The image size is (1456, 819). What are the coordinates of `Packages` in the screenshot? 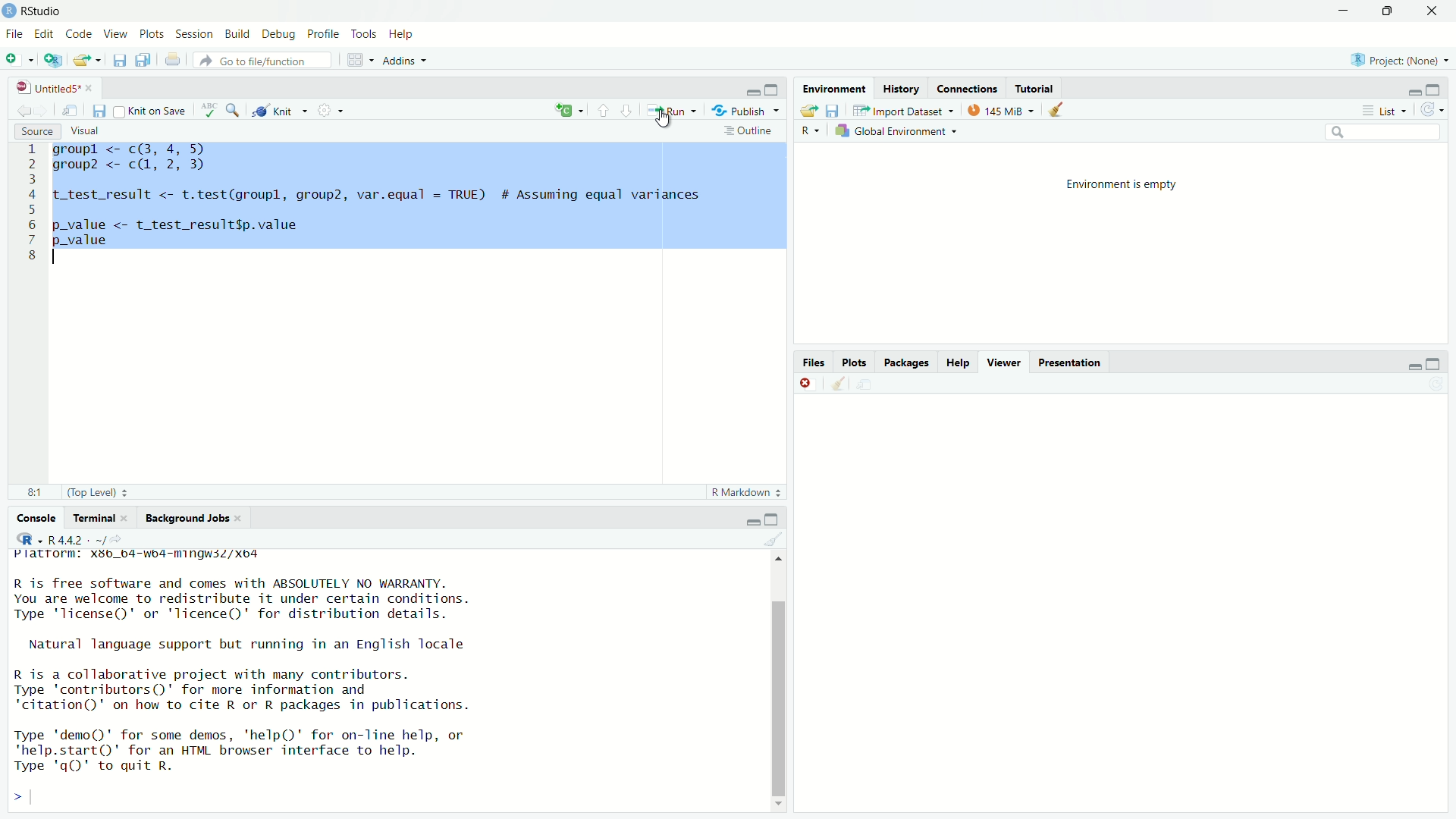 It's located at (908, 362).